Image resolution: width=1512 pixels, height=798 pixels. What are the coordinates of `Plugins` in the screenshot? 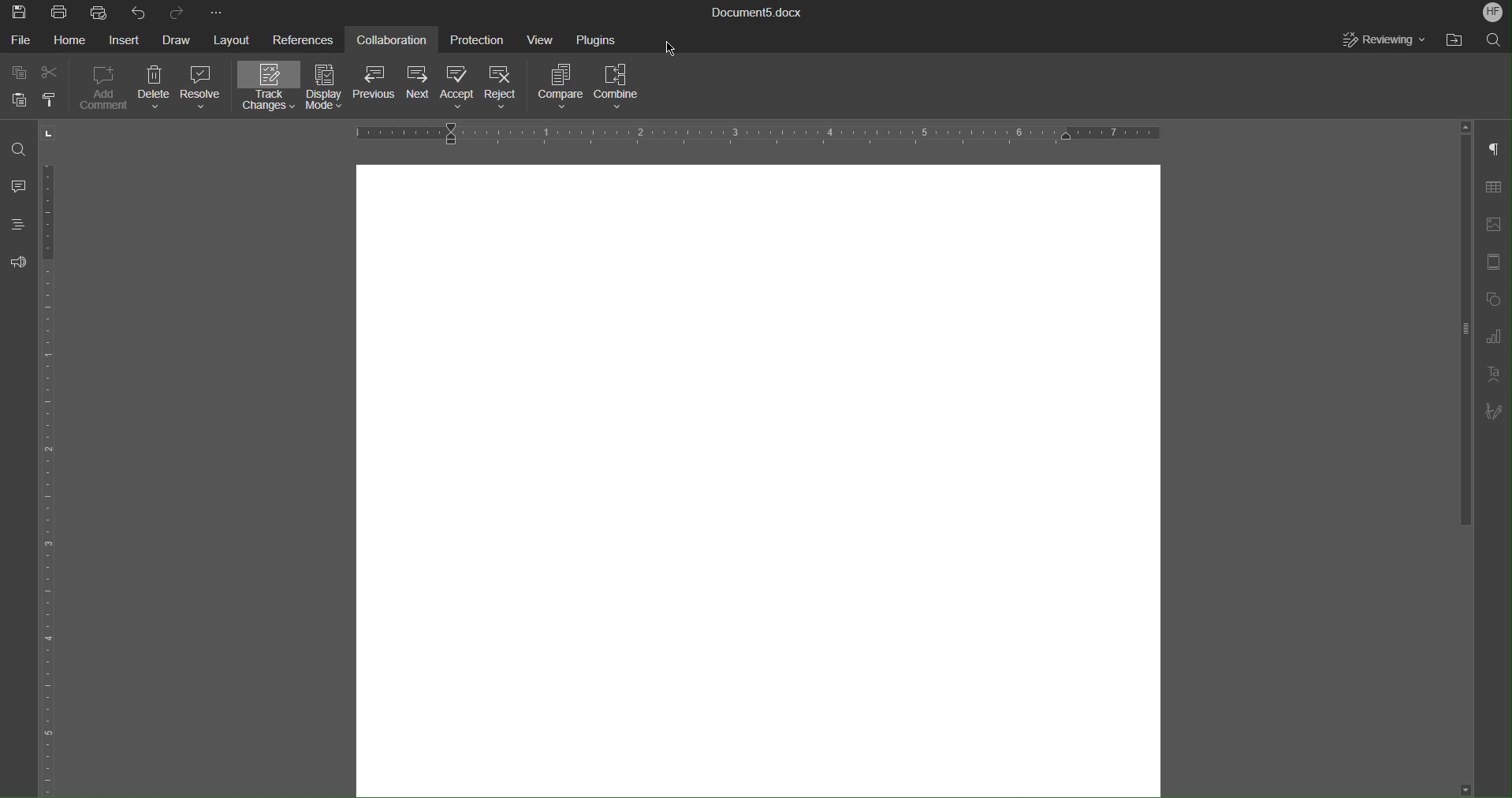 It's located at (602, 43).